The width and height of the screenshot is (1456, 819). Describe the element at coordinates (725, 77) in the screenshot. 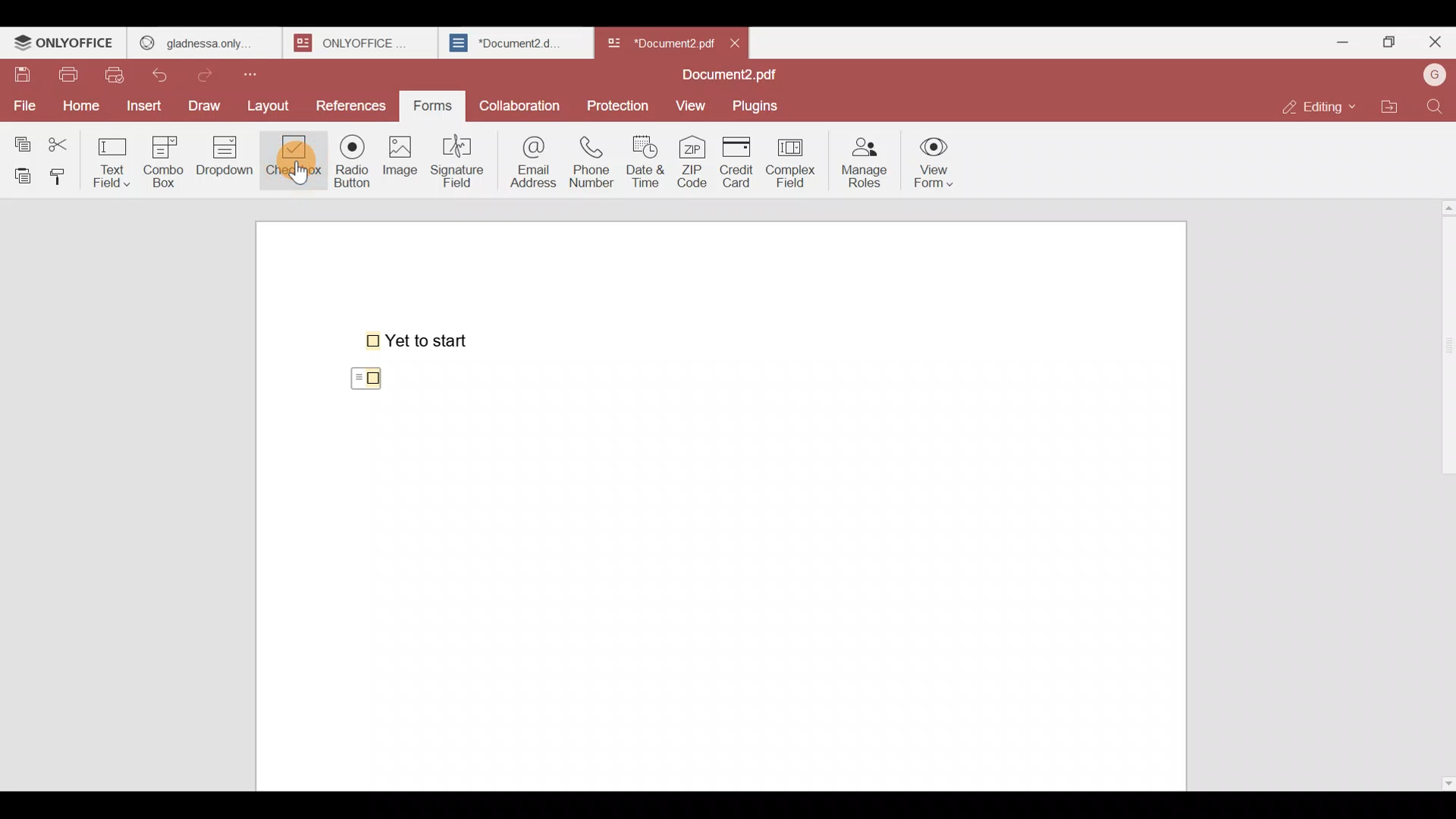

I see `Document2.pdf` at that location.